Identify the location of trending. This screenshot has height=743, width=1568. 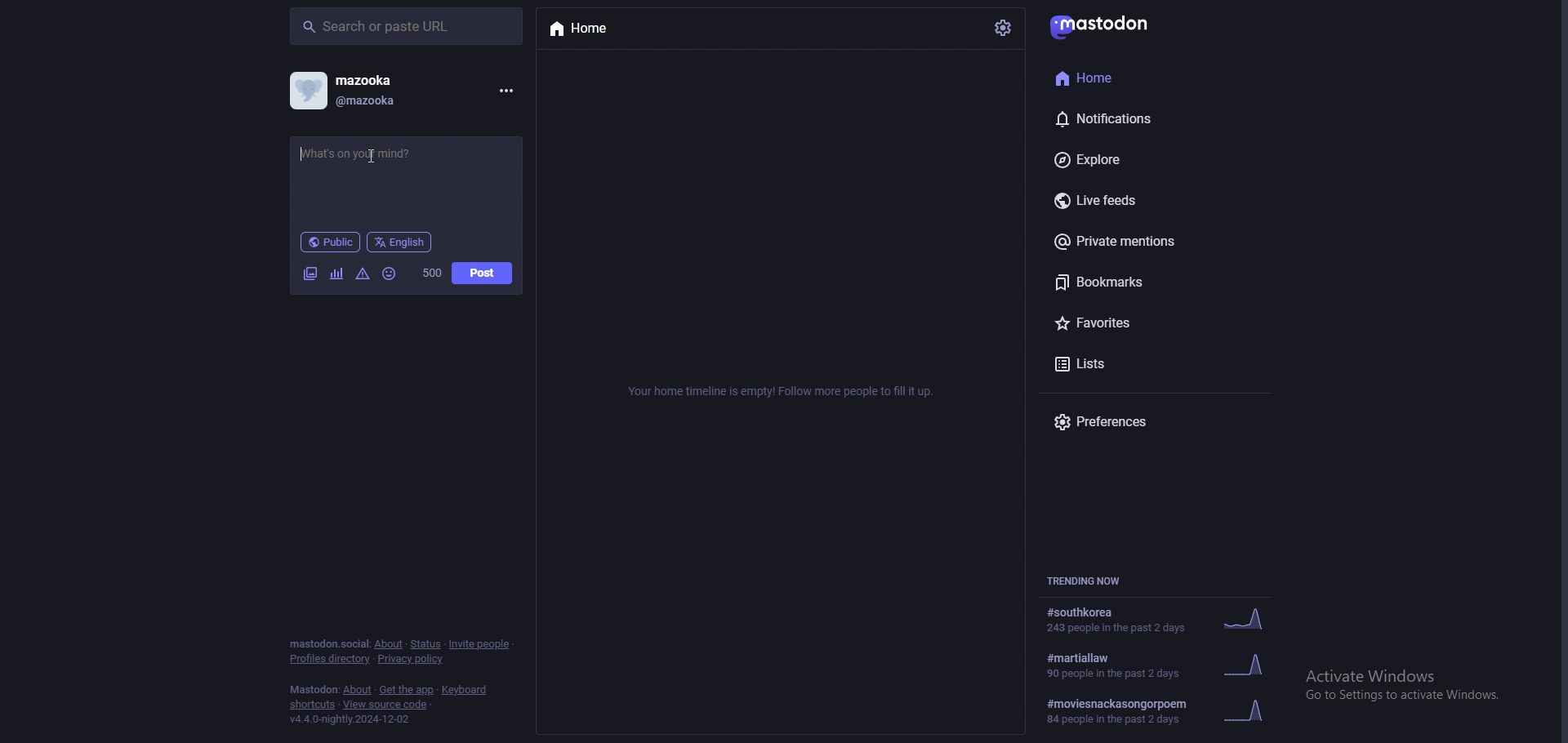
(1172, 664).